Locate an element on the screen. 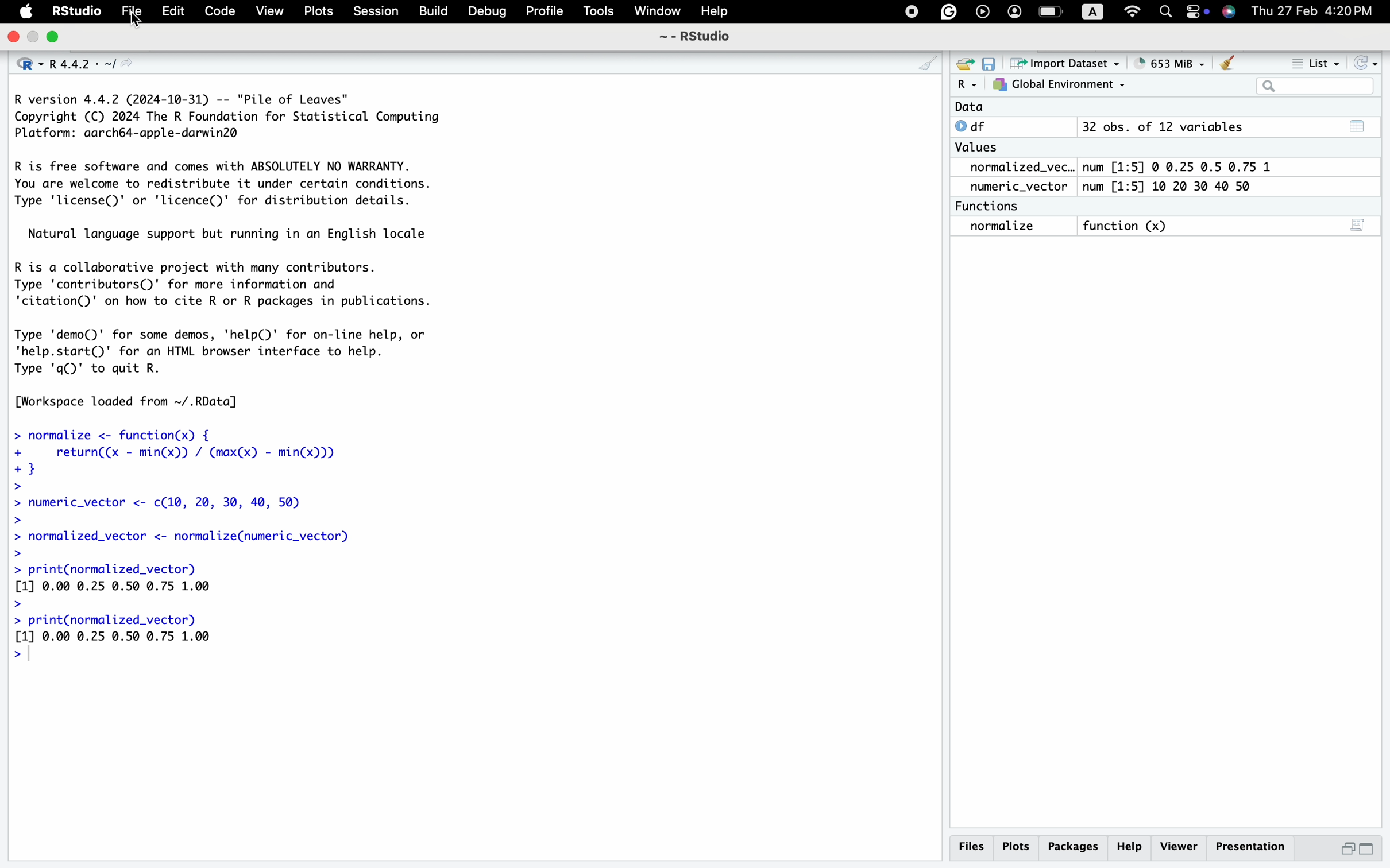 This screenshot has height=868, width=1390. normalized_vec is located at coordinates (1013, 168).